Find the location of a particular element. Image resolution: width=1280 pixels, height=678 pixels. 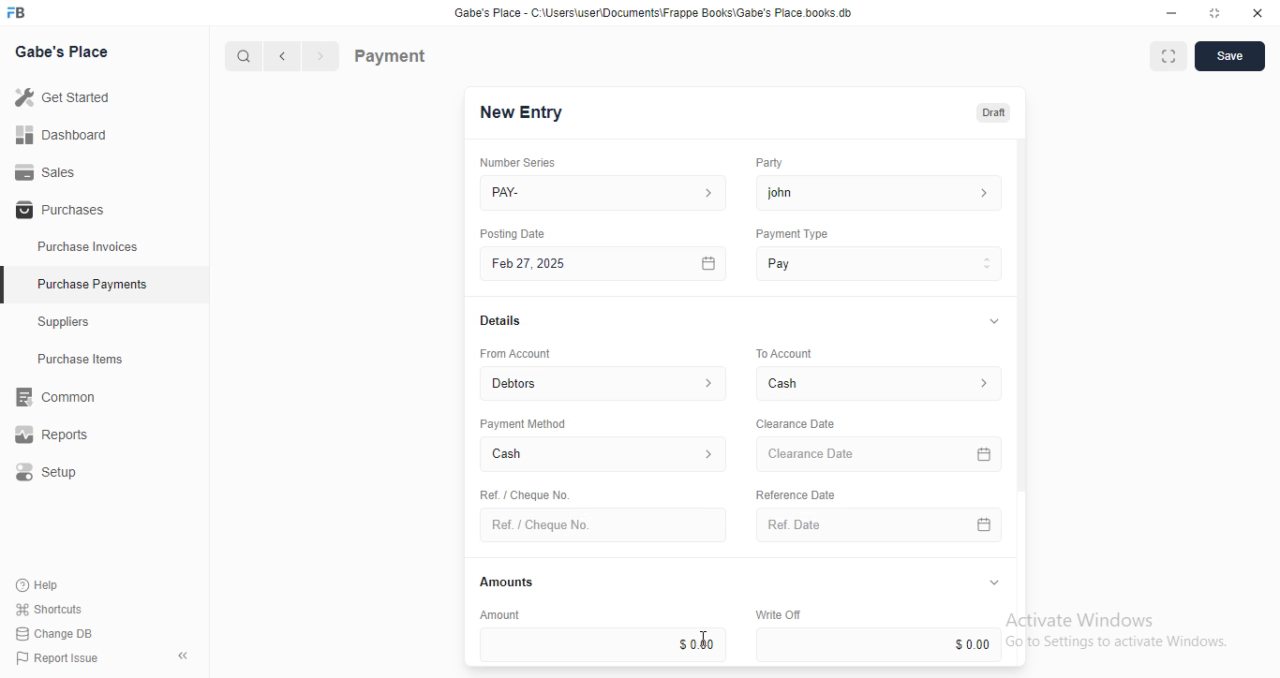

To Account is located at coordinates (882, 383).